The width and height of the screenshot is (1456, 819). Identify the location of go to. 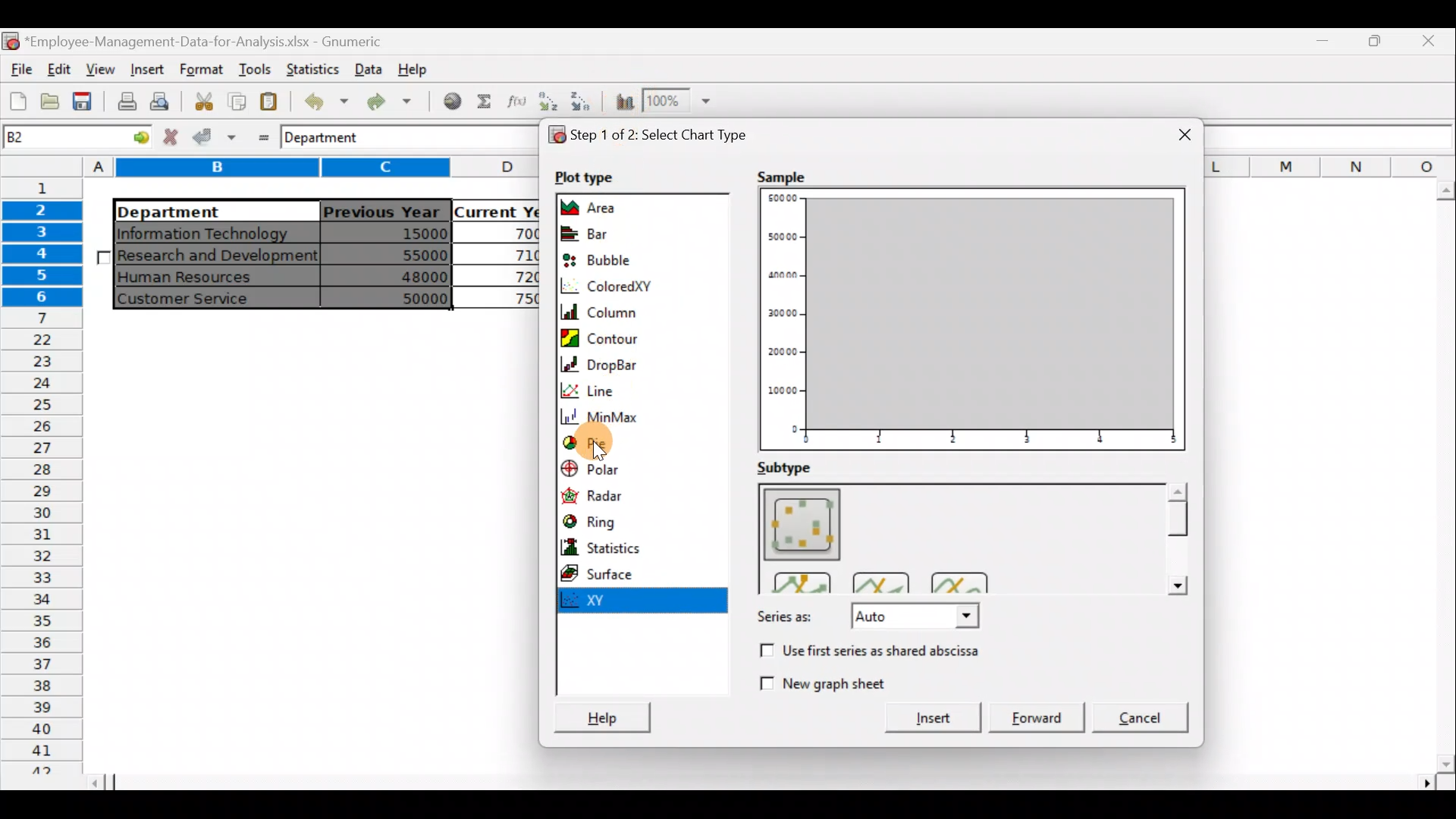
(132, 139).